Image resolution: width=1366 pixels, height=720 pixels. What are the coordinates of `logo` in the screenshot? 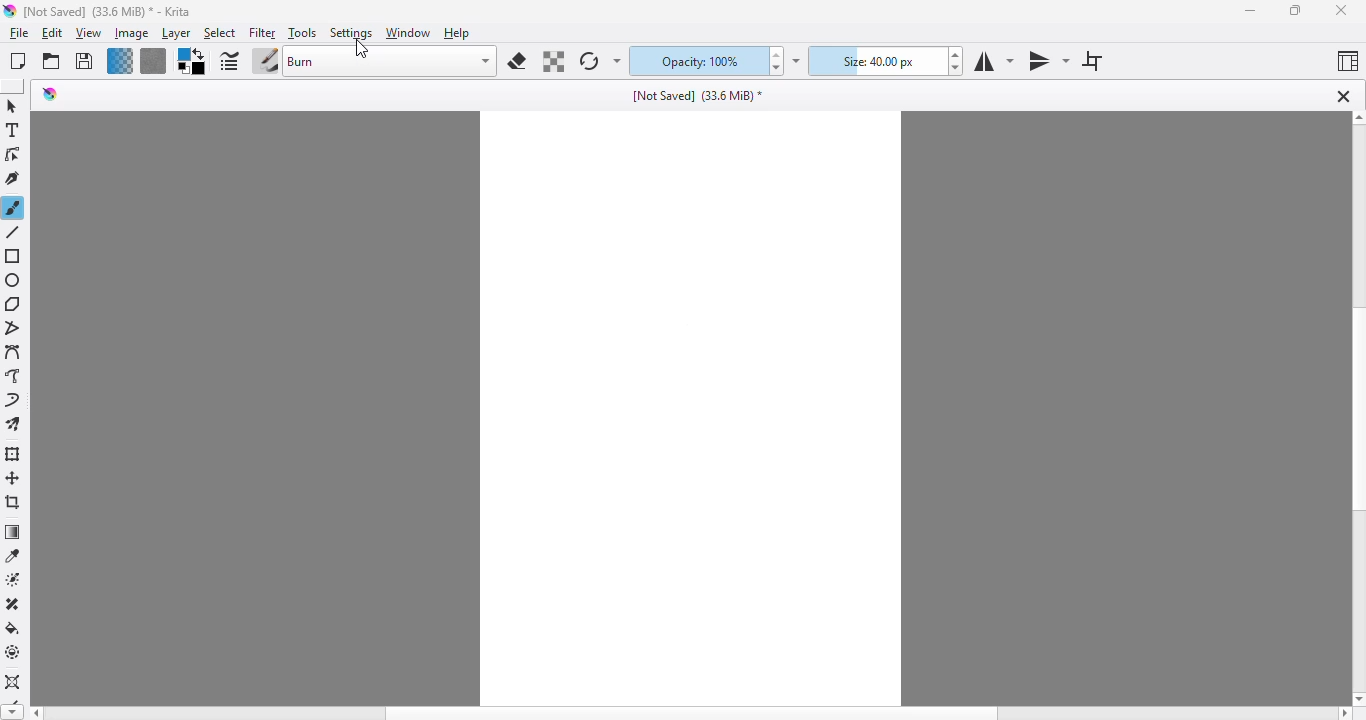 It's located at (50, 93).